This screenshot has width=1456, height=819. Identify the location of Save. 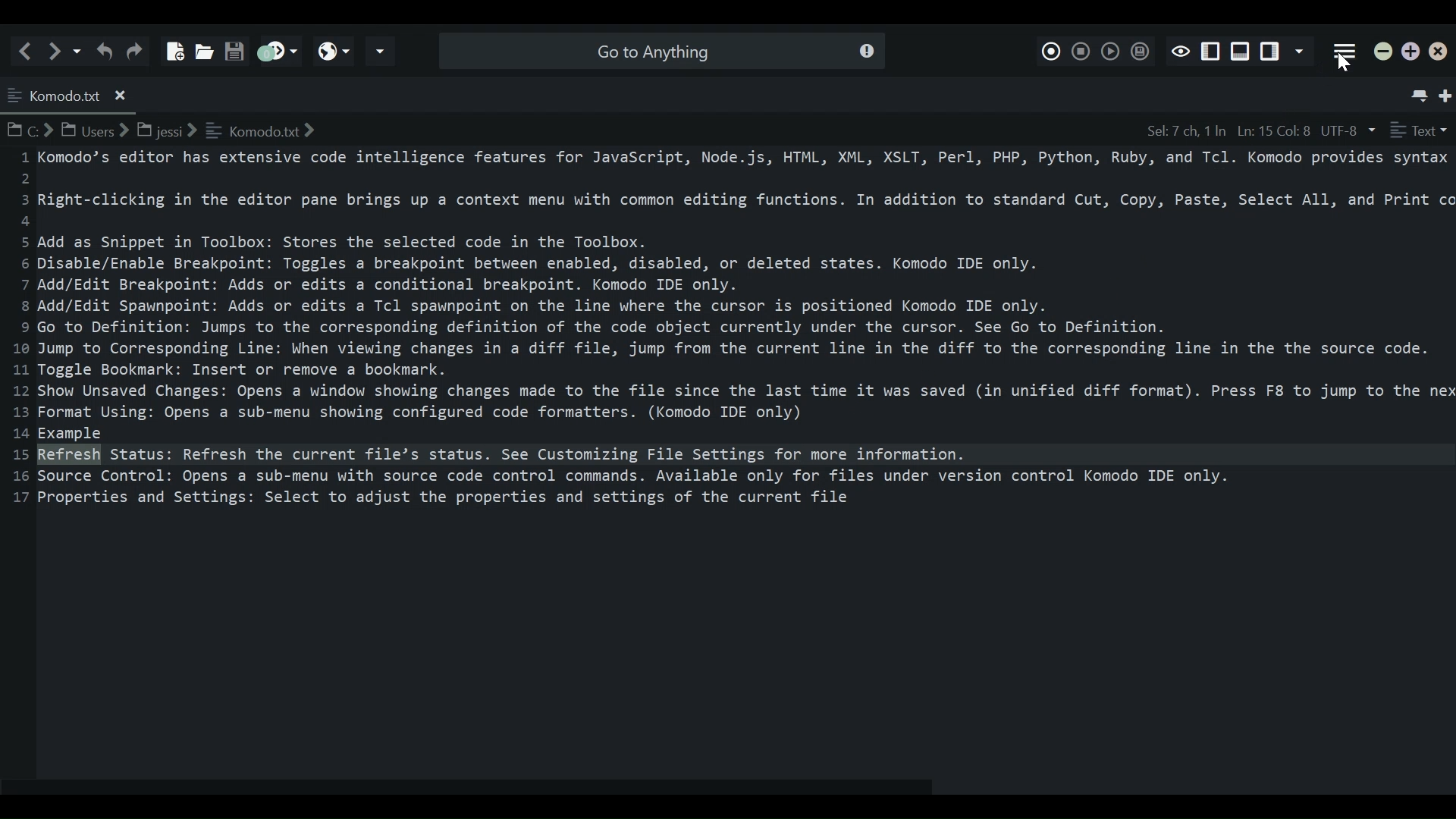
(234, 46).